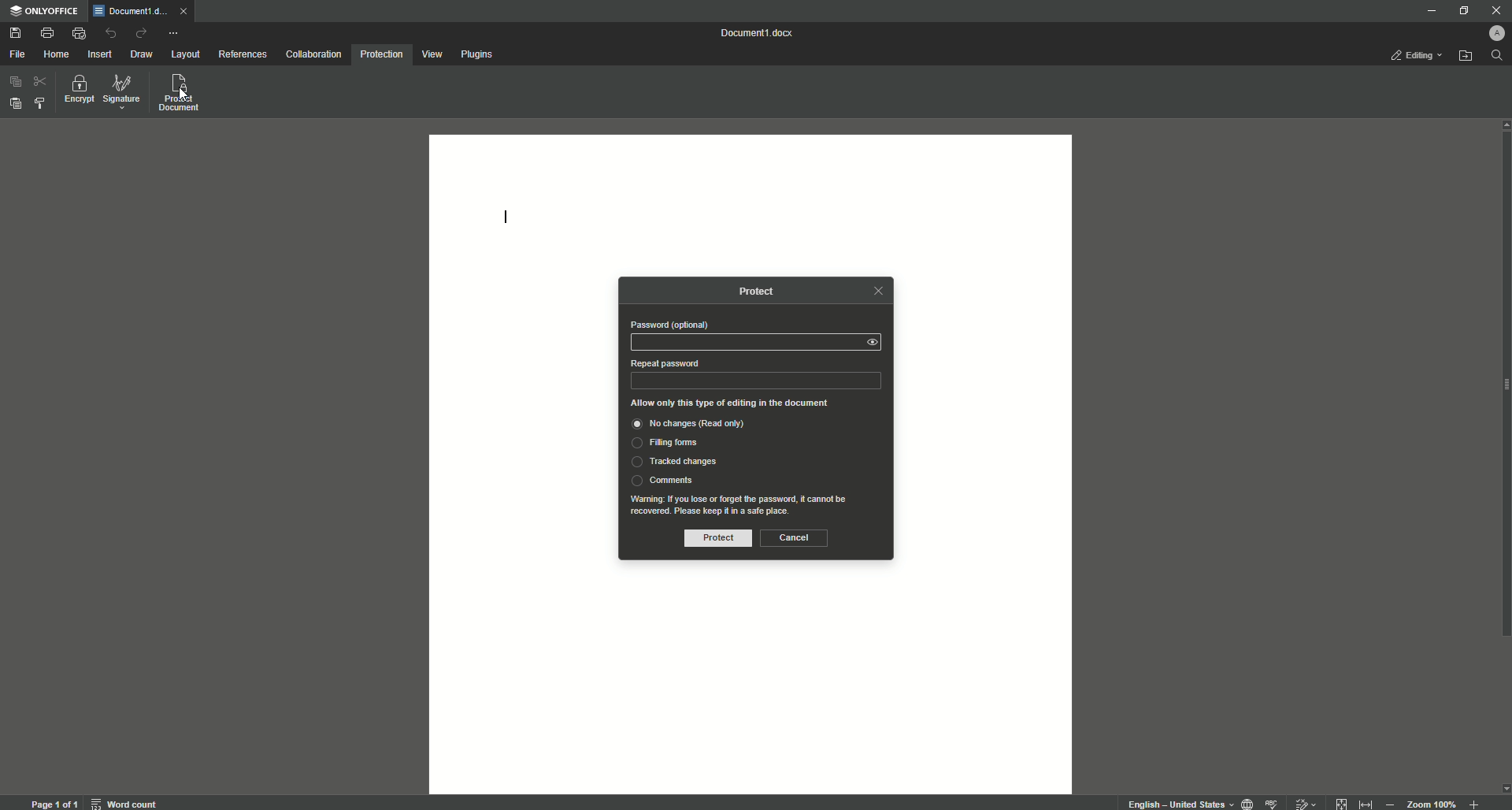 The height and width of the screenshot is (810, 1512). What do you see at coordinates (794, 537) in the screenshot?
I see `Cancel` at bounding box center [794, 537].